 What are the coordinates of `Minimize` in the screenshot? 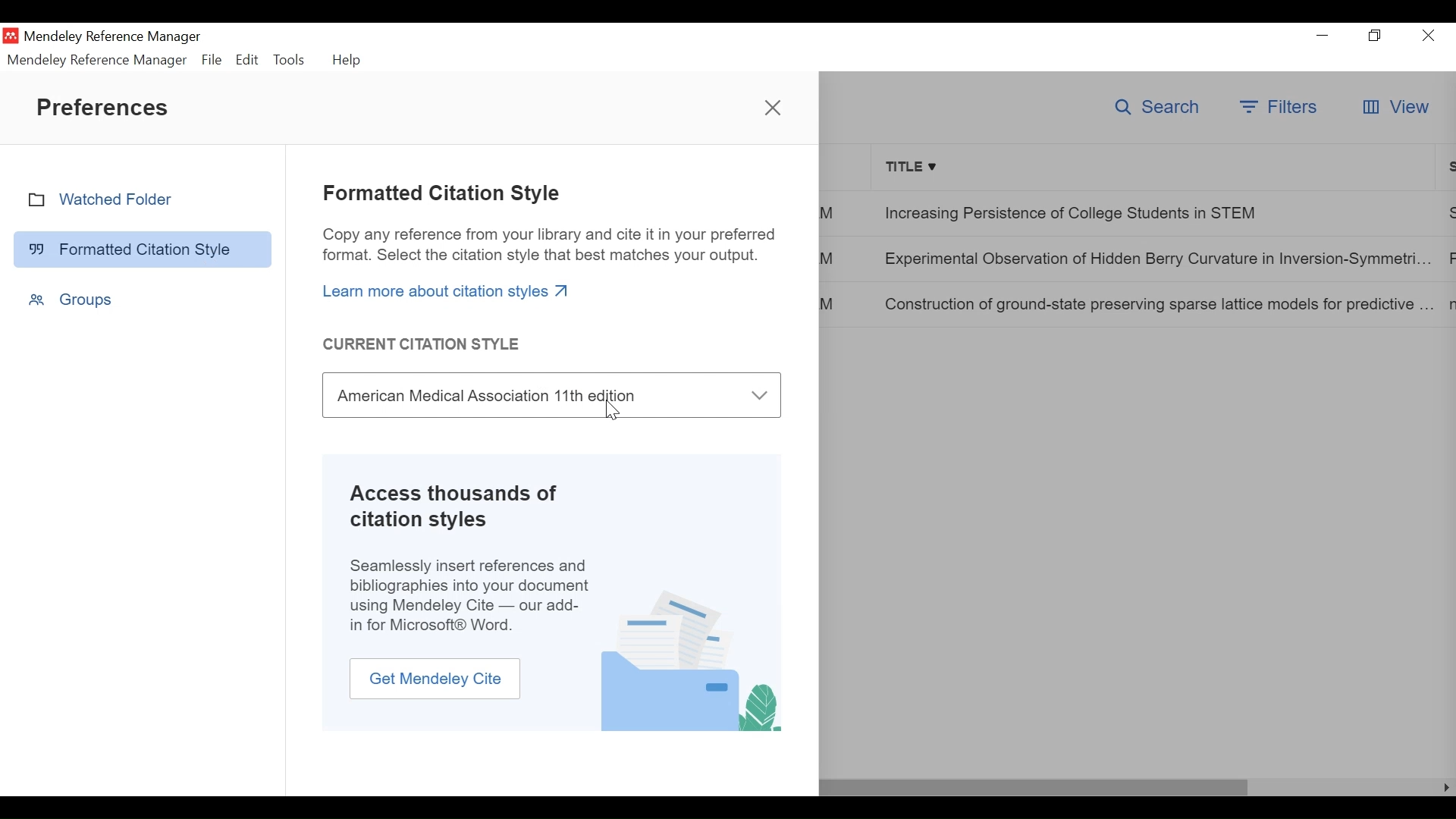 It's located at (1323, 35).